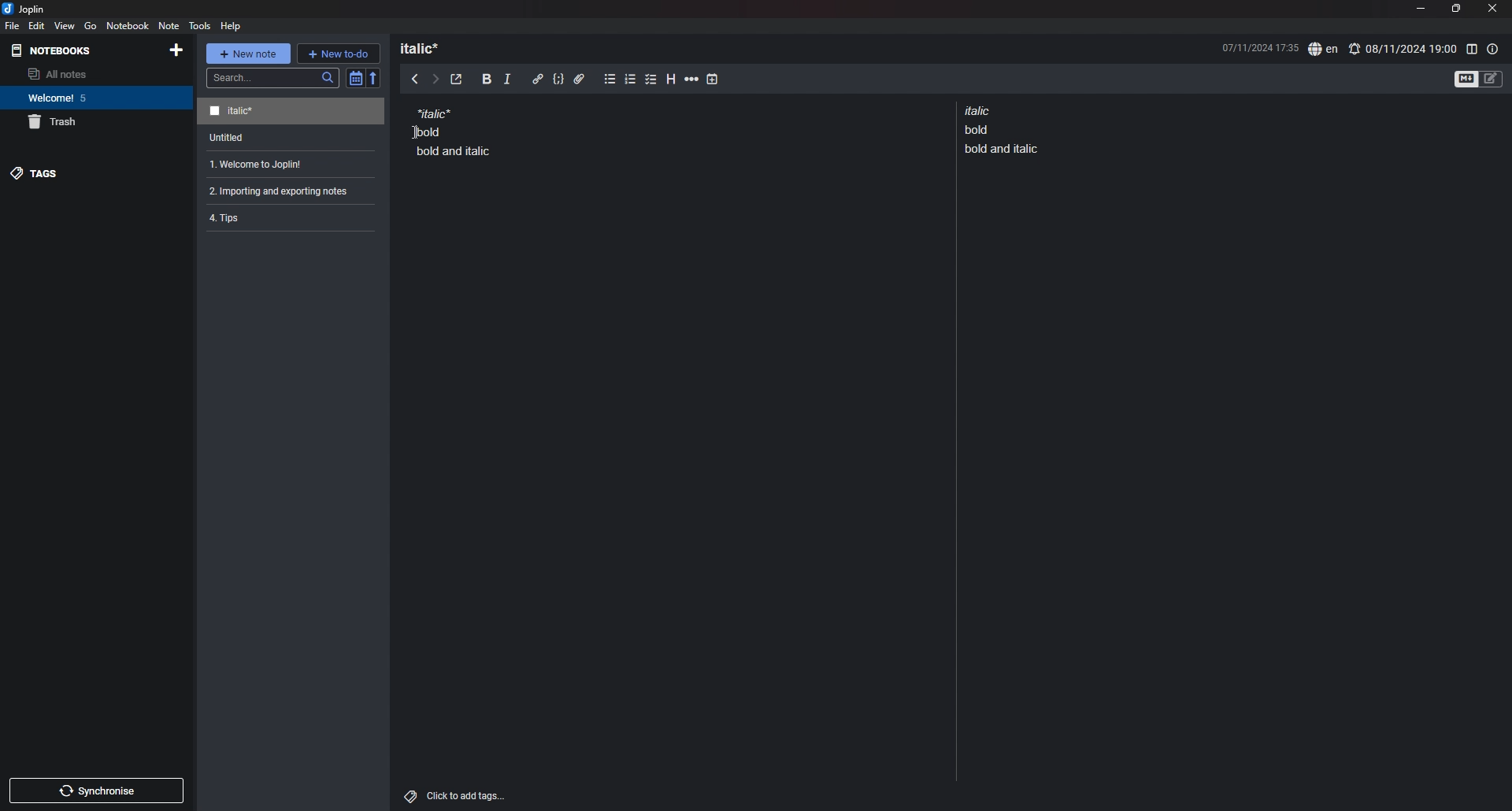 The height and width of the screenshot is (811, 1512). I want to click on search bar, so click(273, 78).